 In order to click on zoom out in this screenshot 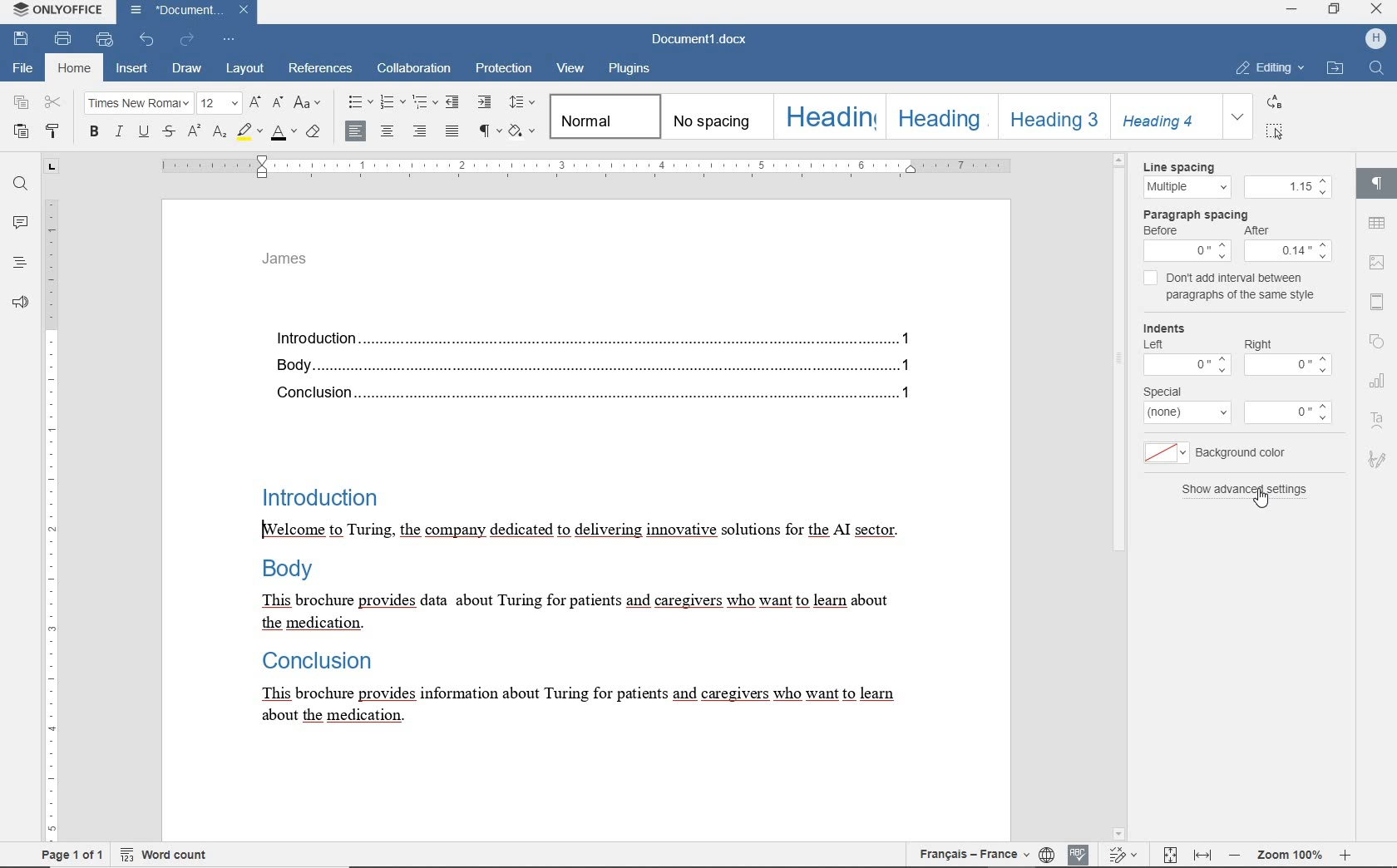, I will do `click(1231, 856)`.